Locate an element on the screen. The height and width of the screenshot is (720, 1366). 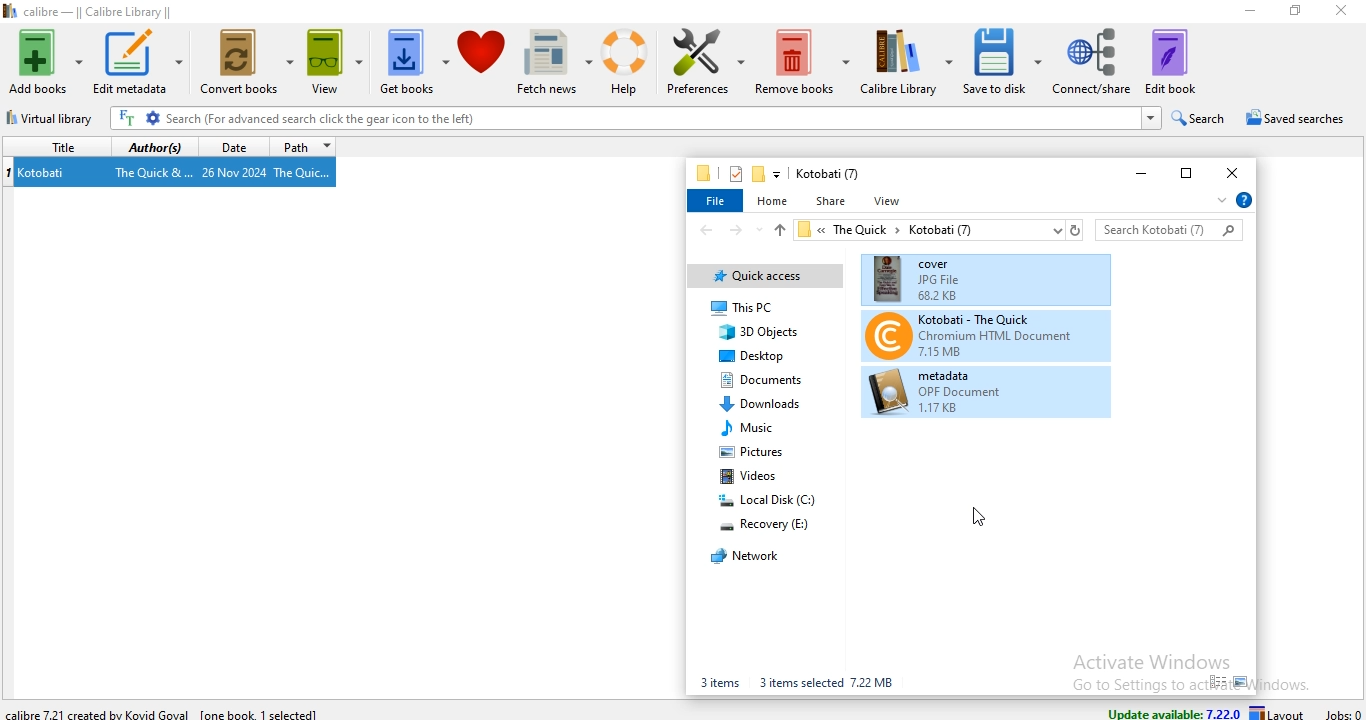
network is located at coordinates (742, 555).